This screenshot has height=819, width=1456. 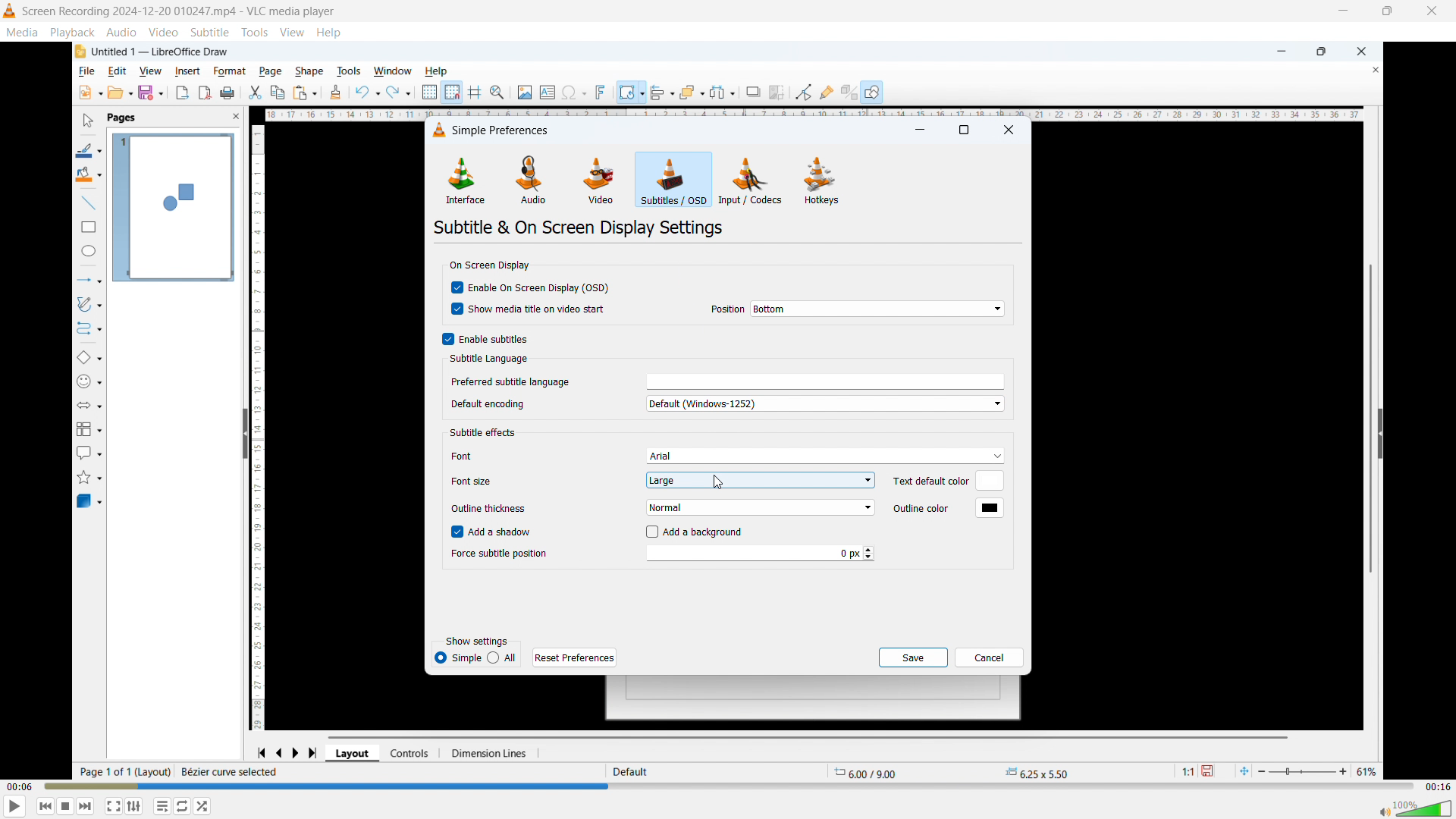 What do you see at coordinates (1014, 389) in the screenshot?
I see `Vertical scroll bar ` at bounding box center [1014, 389].